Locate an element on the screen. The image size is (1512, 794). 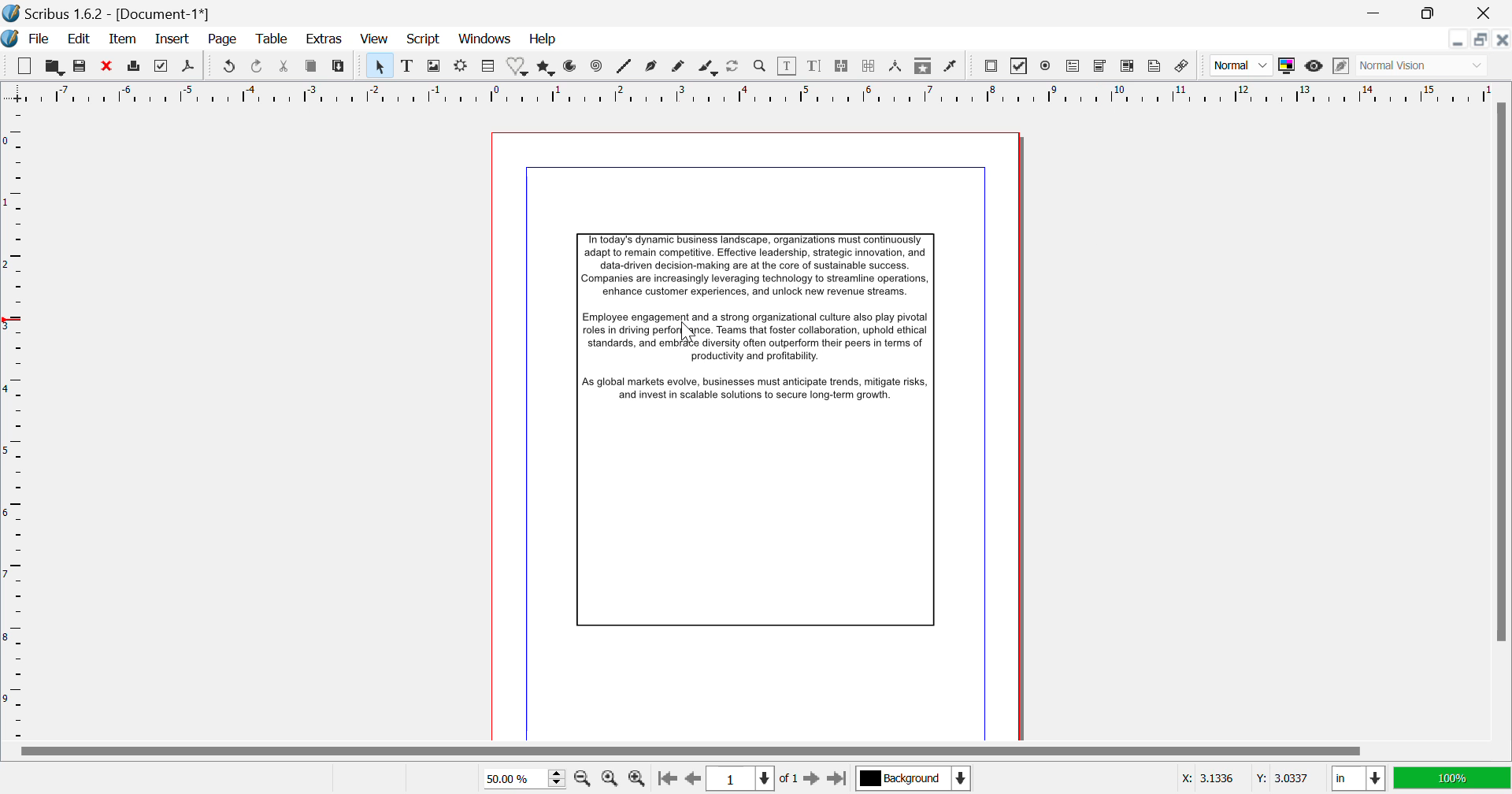
Zoom to 100% is located at coordinates (610, 778).